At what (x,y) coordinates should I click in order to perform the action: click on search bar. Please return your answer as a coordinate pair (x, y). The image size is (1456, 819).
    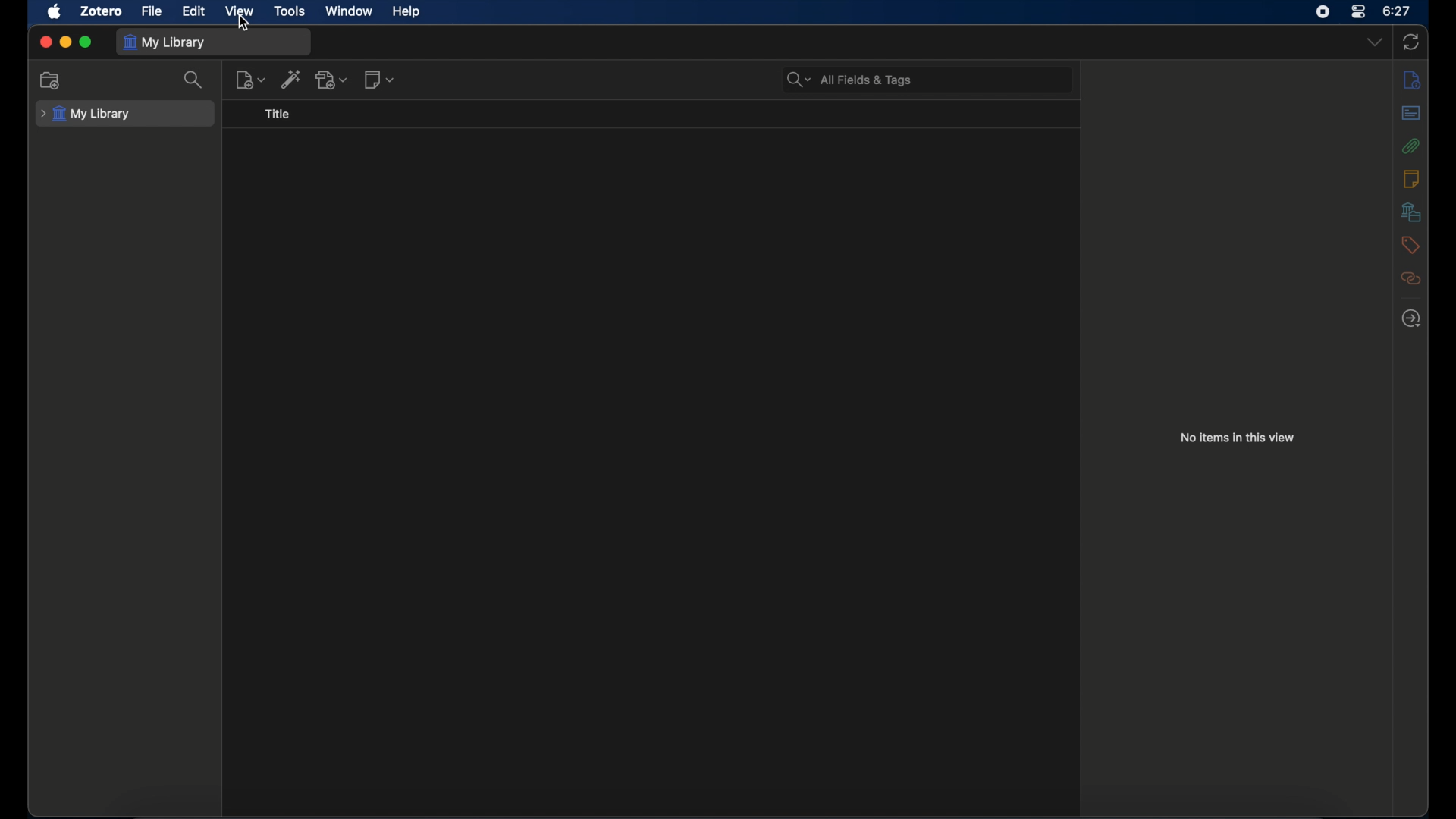
    Looking at the image, I should click on (850, 80).